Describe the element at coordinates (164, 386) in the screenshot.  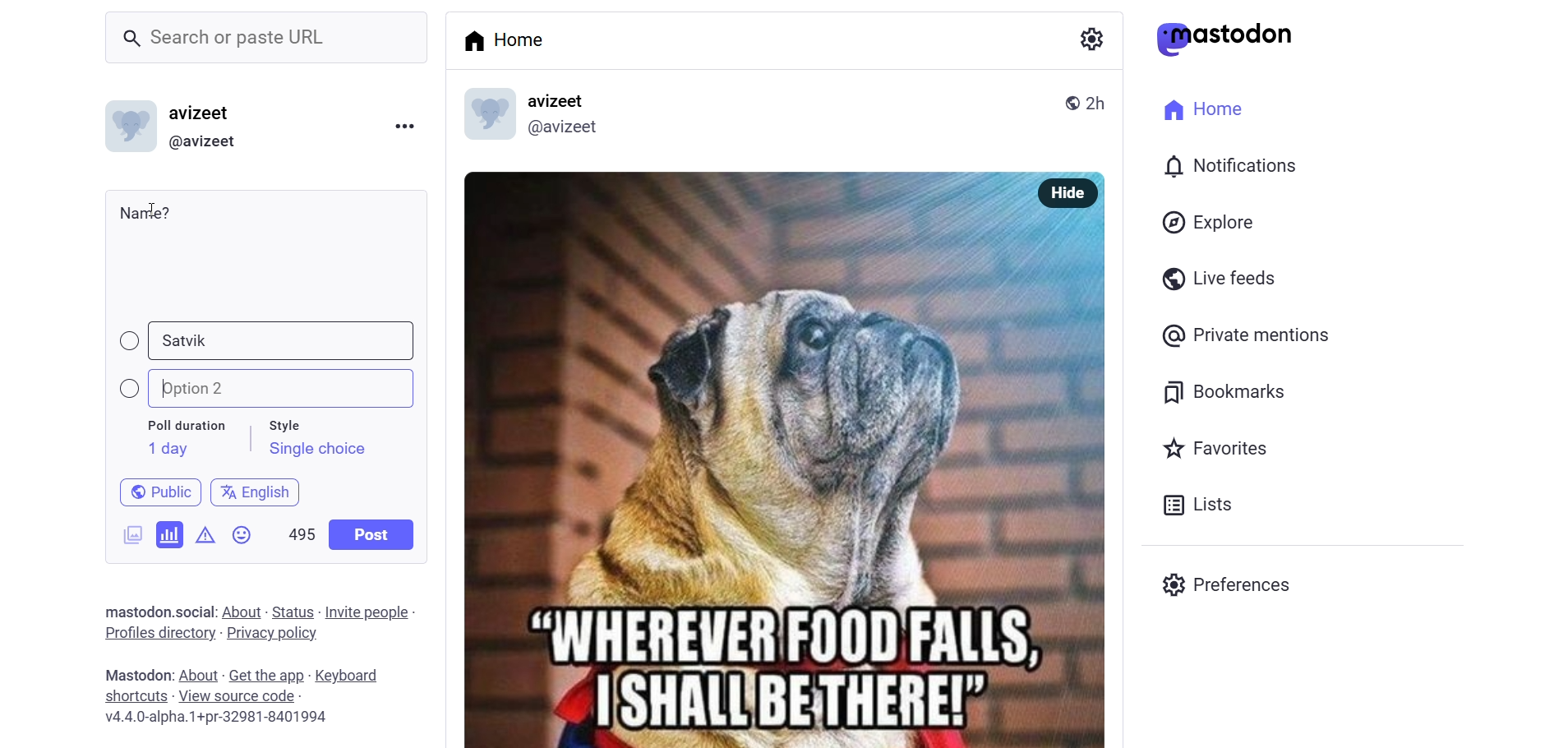
I see `start writing option 2` at that location.